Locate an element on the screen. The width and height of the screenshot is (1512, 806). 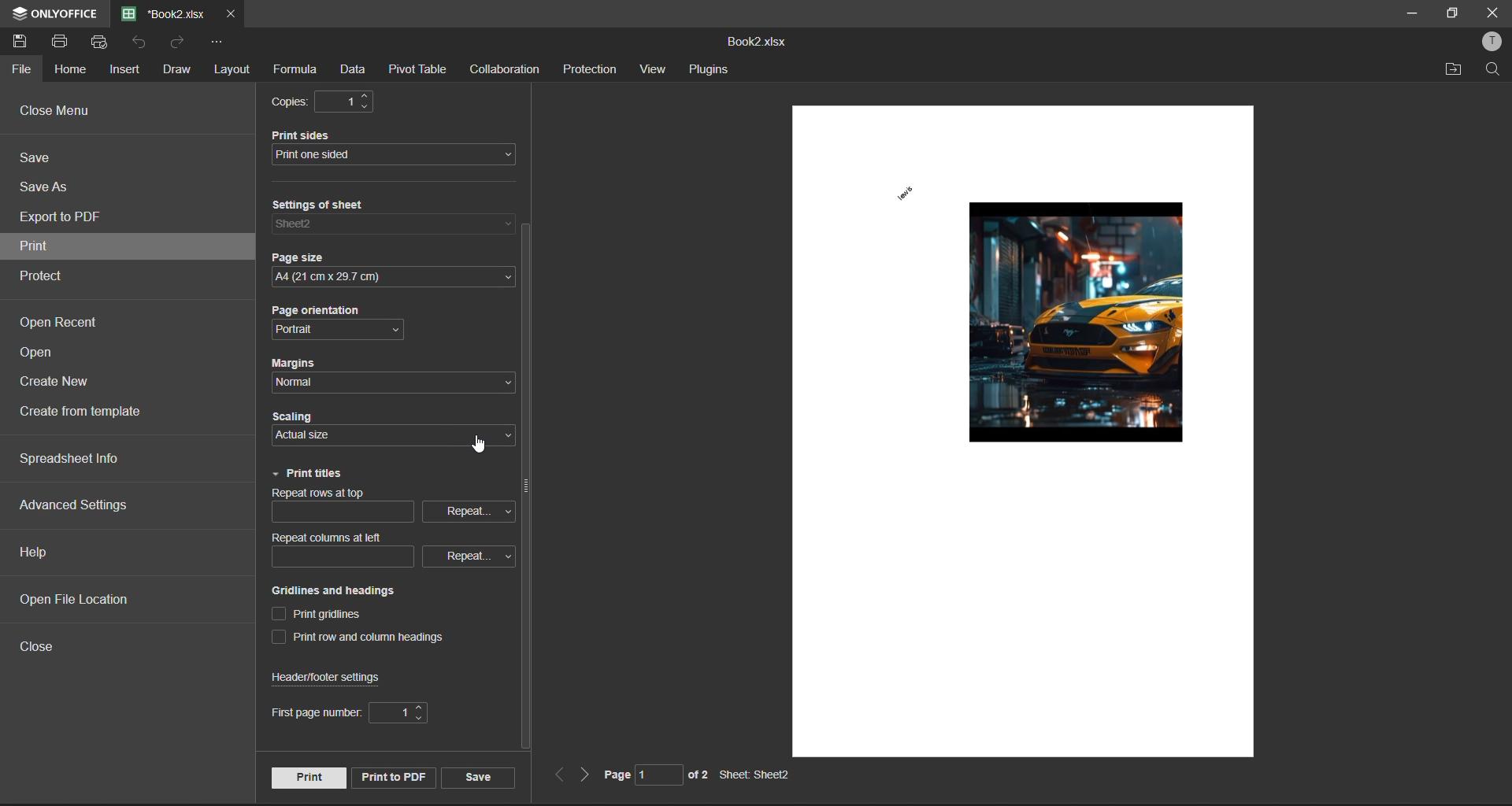
page orientation is located at coordinates (328, 312).